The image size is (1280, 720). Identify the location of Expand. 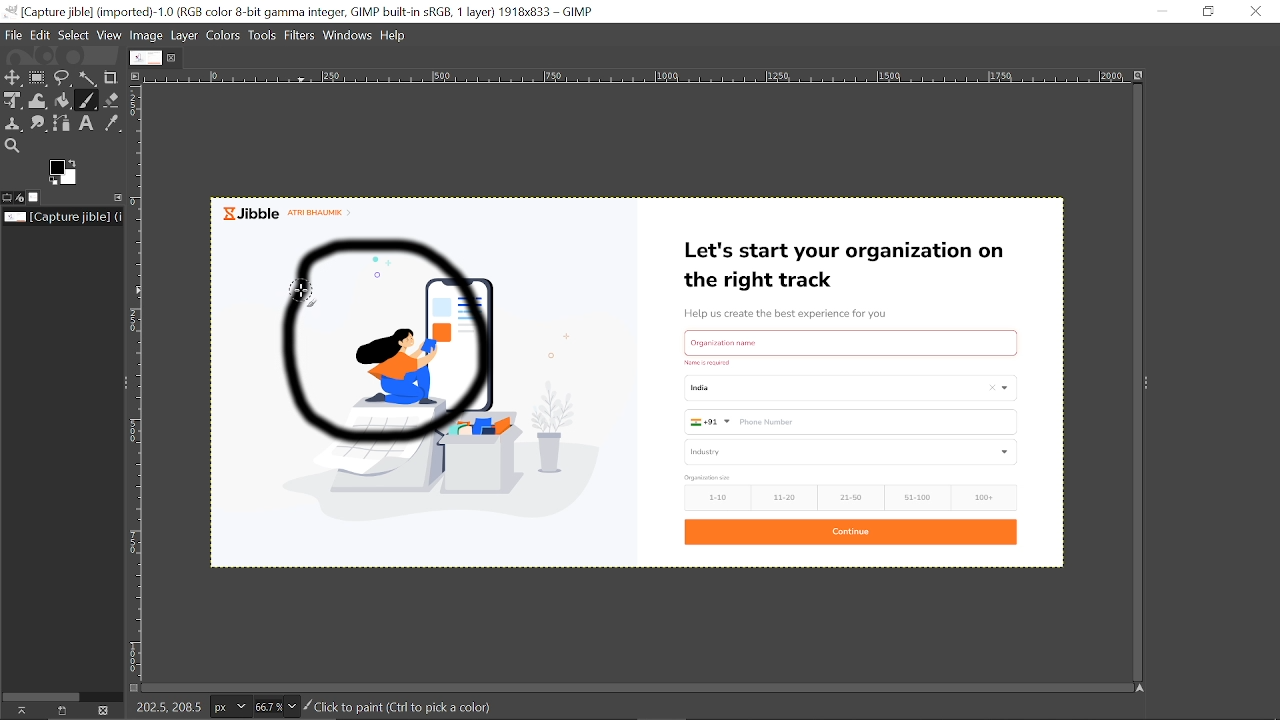
(1146, 383).